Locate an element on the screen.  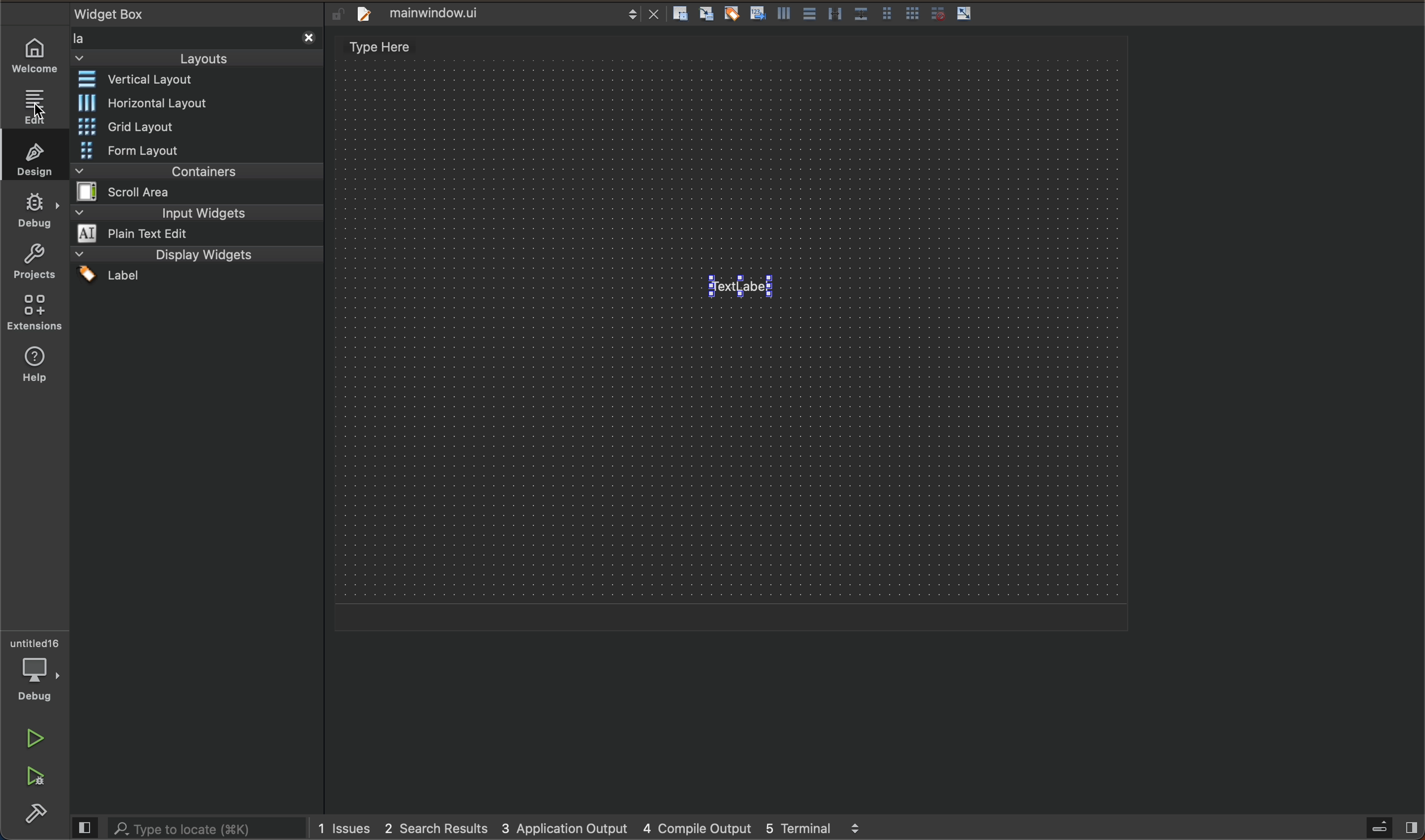
adjust size is located at coordinates (966, 14).